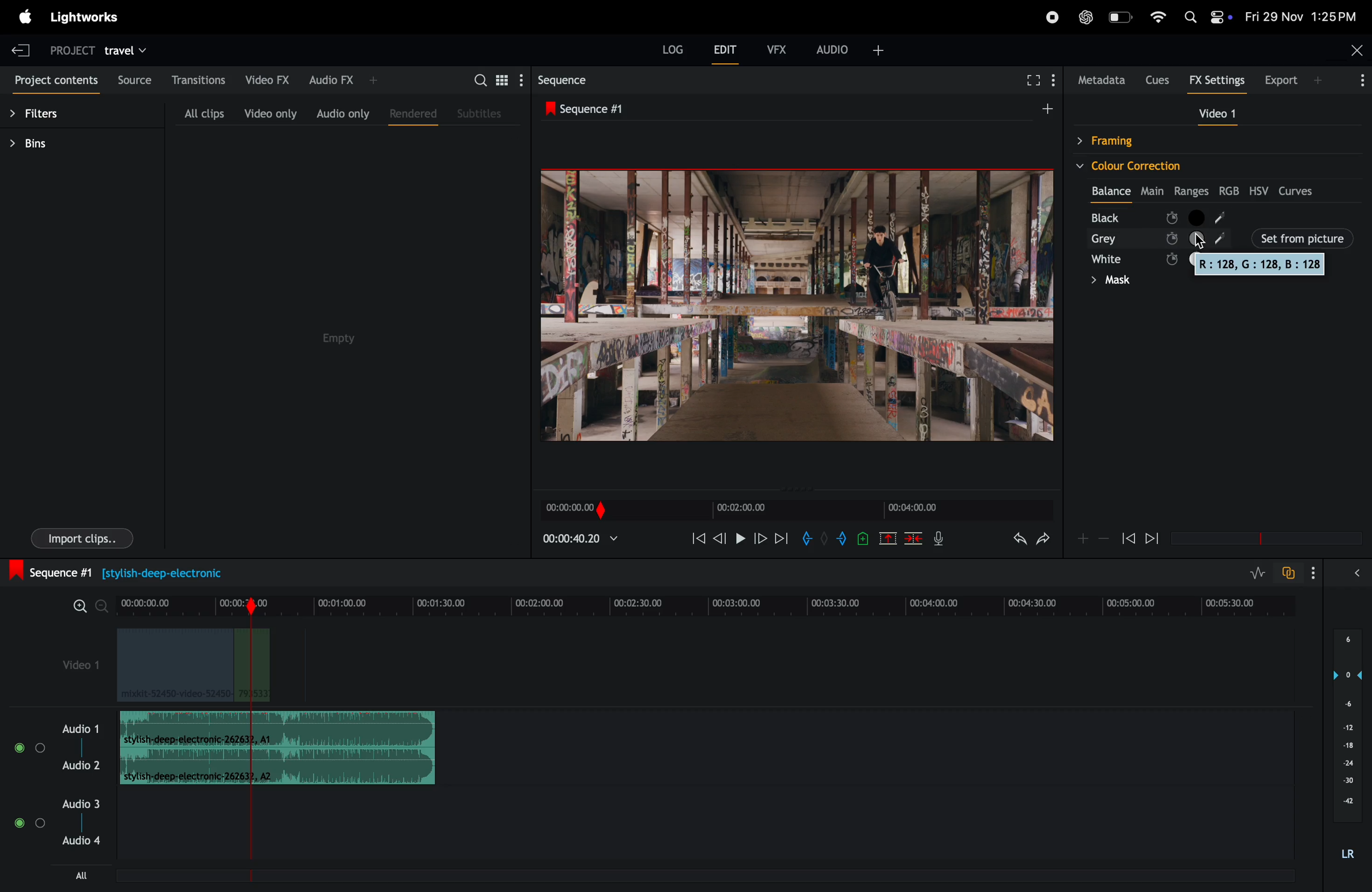  What do you see at coordinates (1356, 573) in the screenshot?
I see `expand` at bounding box center [1356, 573].